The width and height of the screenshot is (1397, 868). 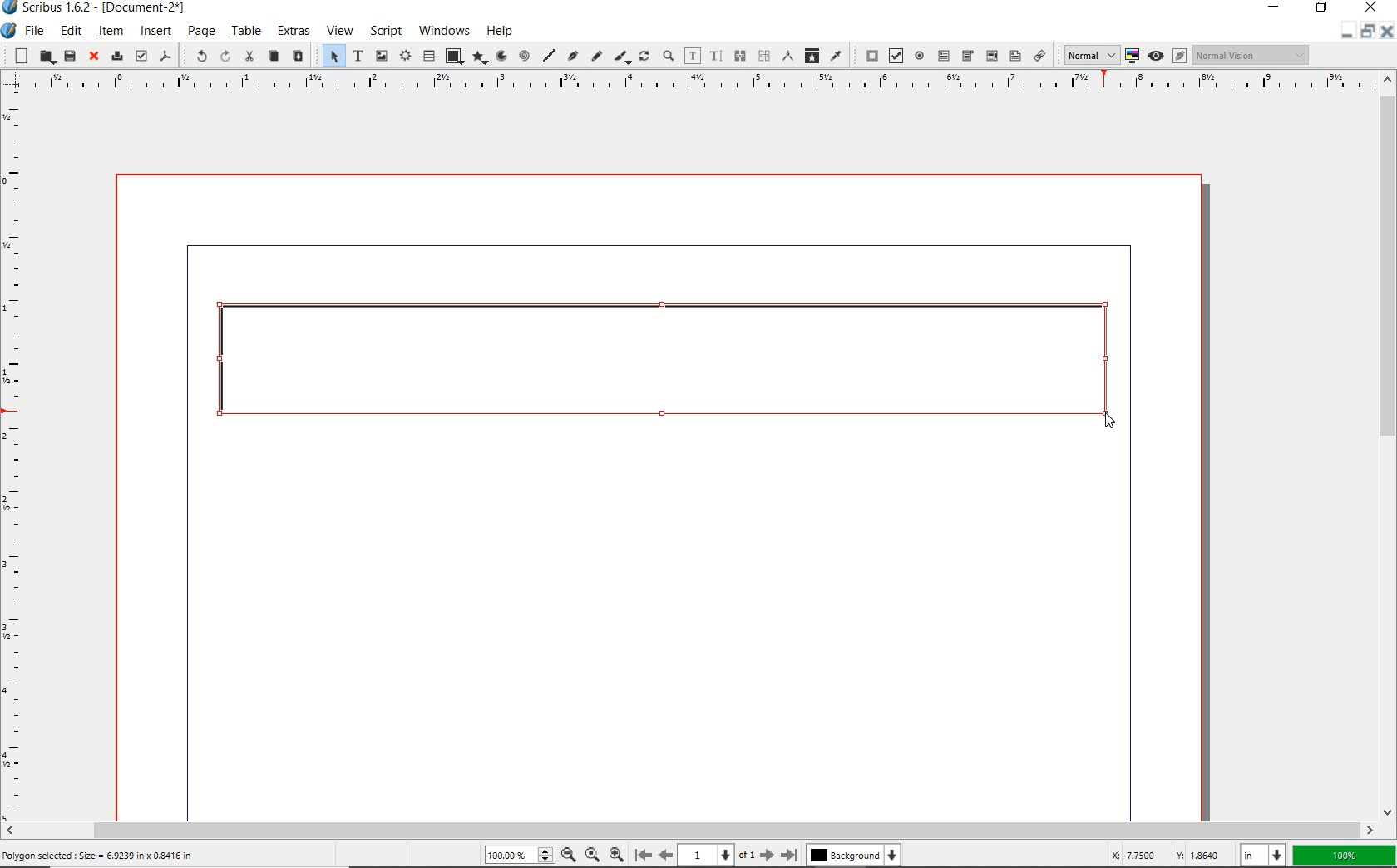 I want to click on coordinates, so click(x=1164, y=856).